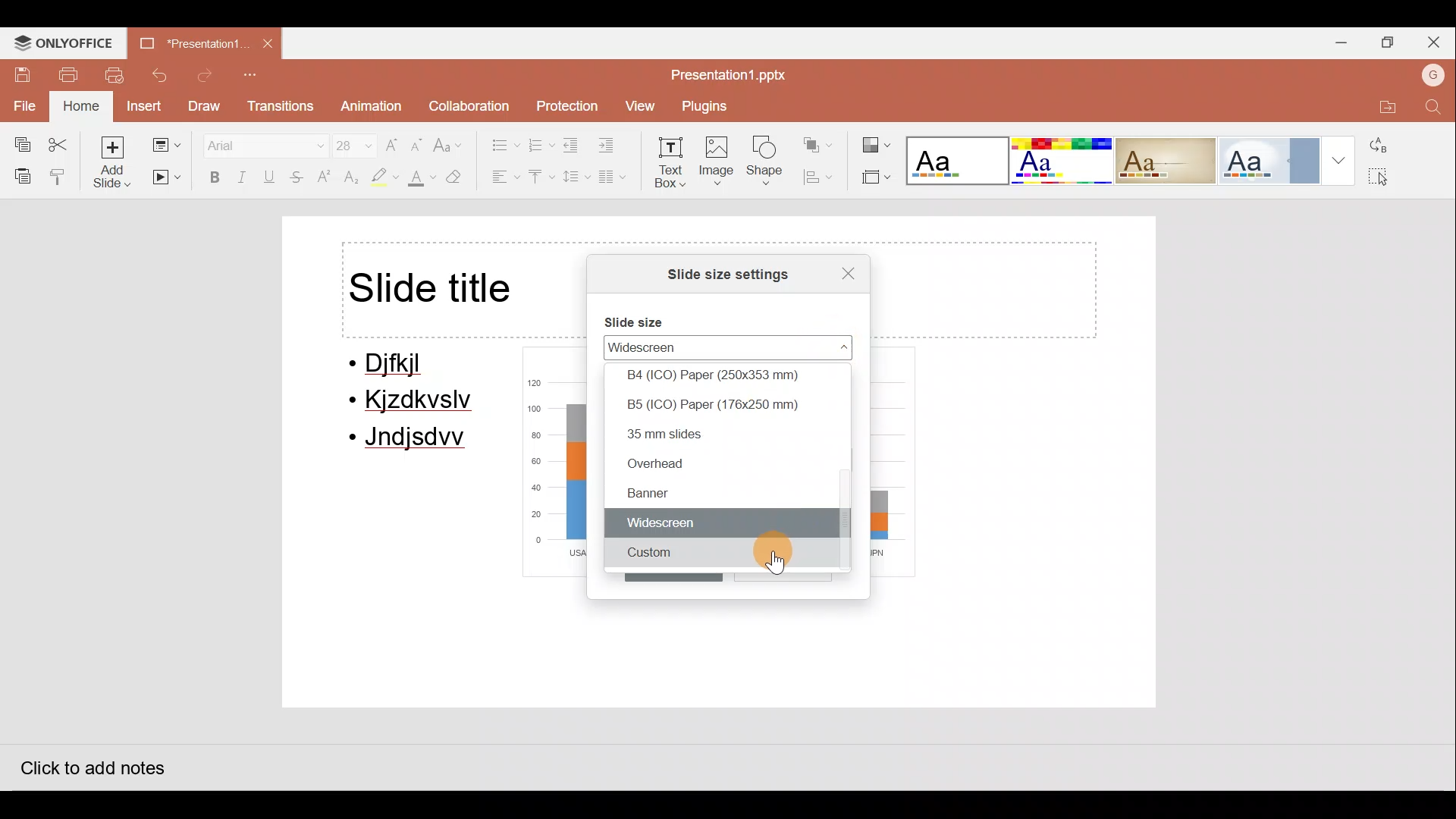 This screenshot has width=1456, height=819. I want to click on Start slideshow, so click(167, 178).